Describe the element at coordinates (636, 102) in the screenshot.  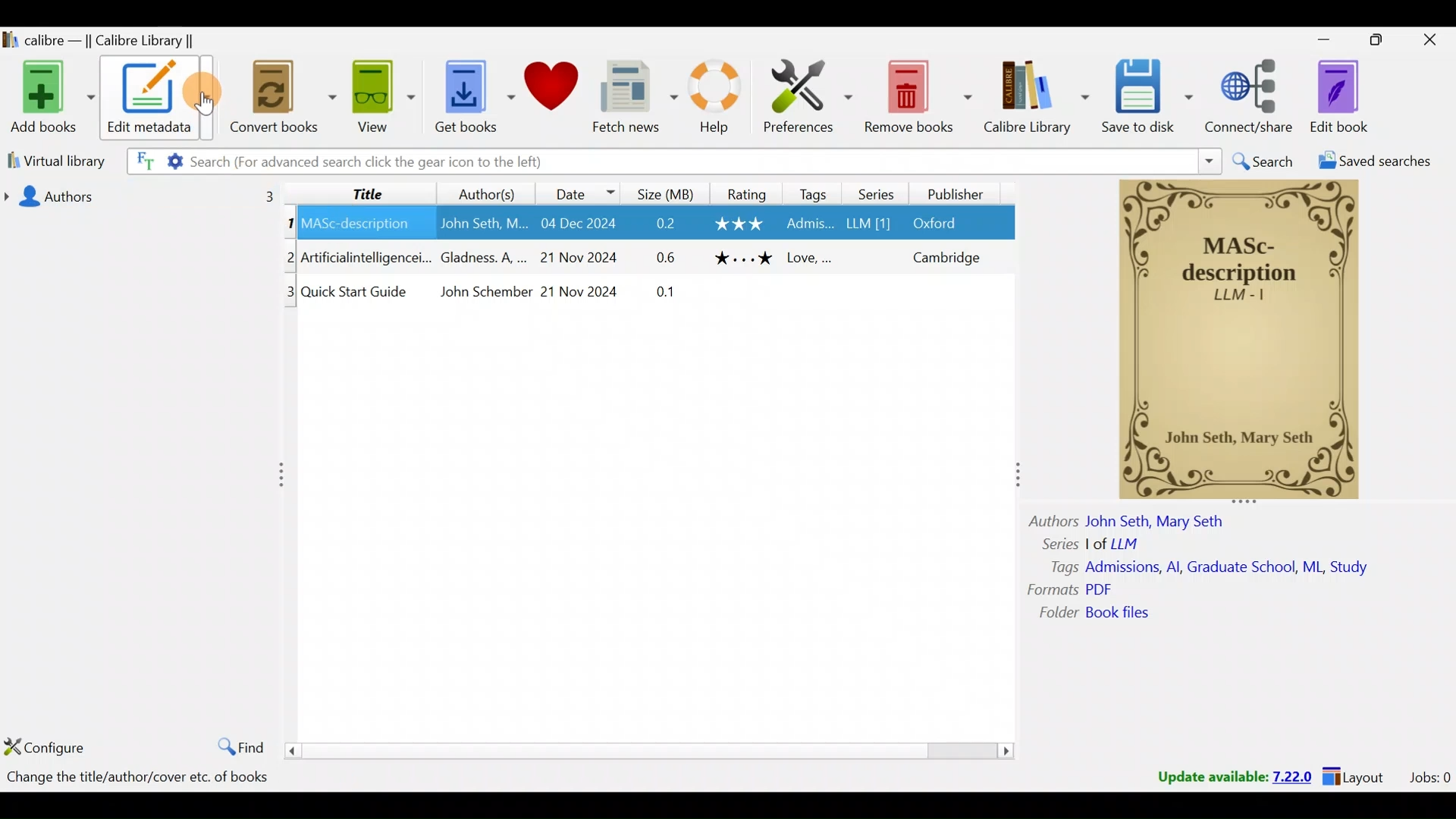
I see `Fetch news` at that location.